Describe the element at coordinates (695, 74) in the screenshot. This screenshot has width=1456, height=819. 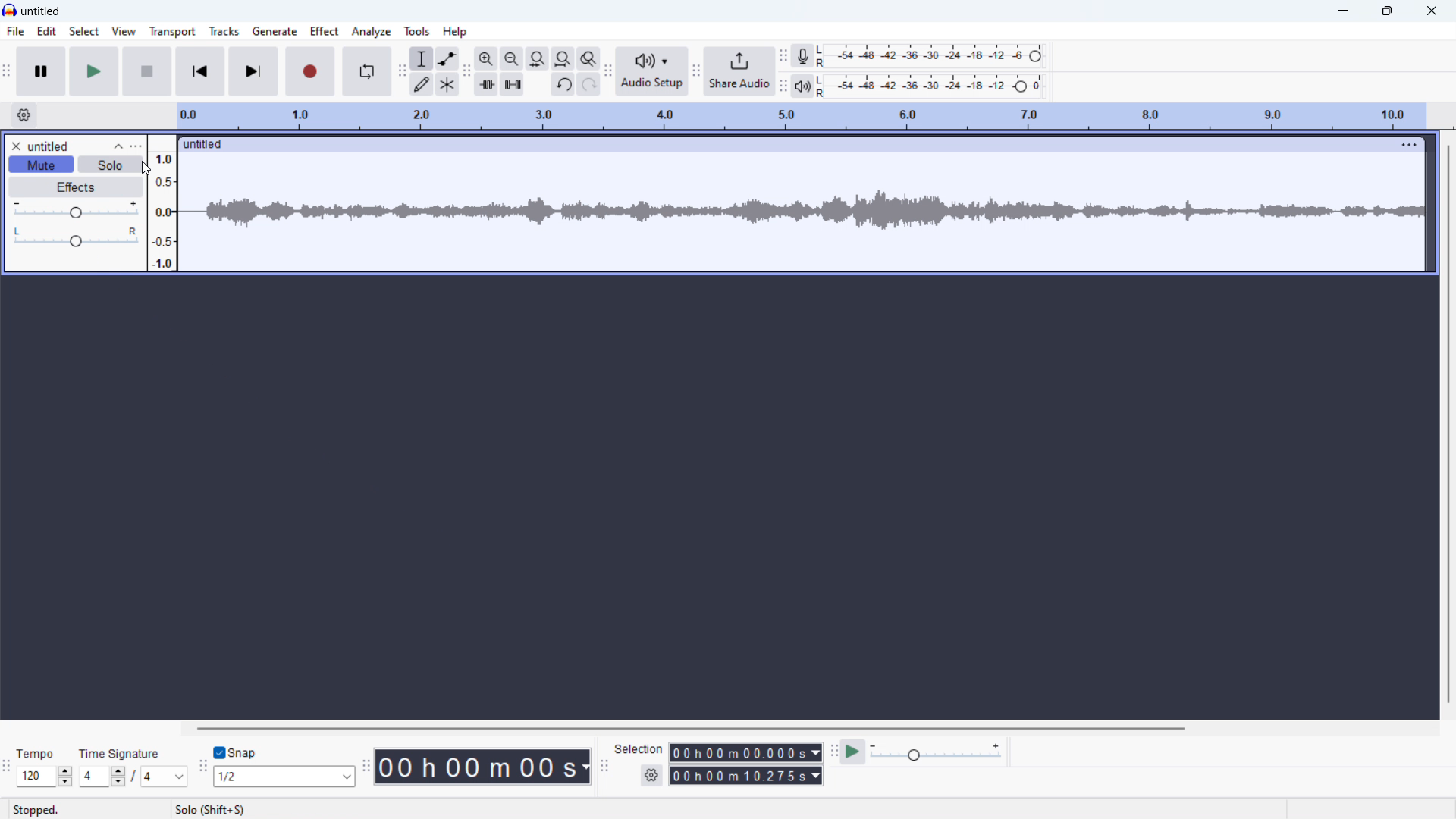
I see `share audio toolbar` at that location.